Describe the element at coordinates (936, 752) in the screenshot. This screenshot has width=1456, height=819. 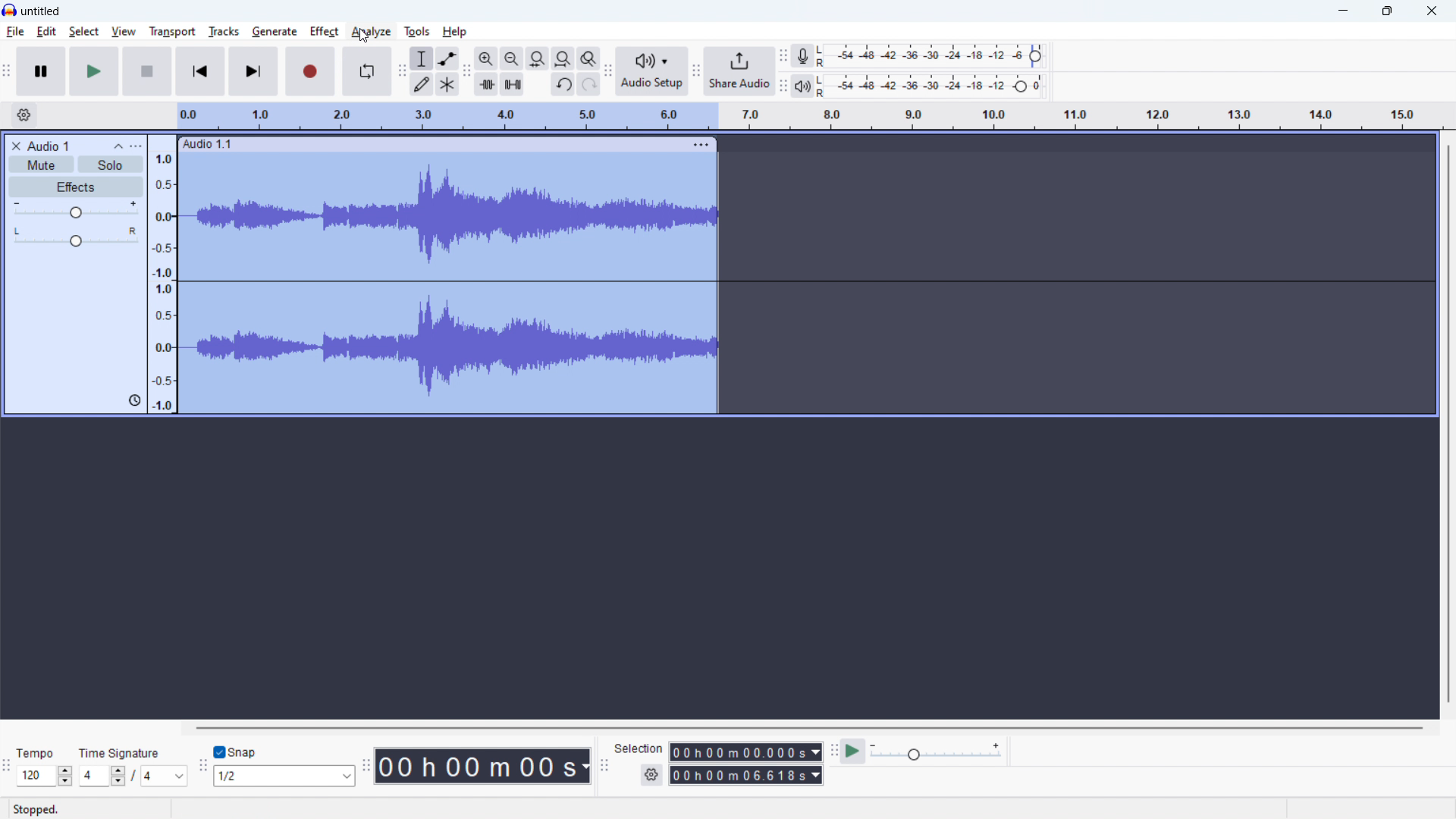
I see `playback speed` at that location.